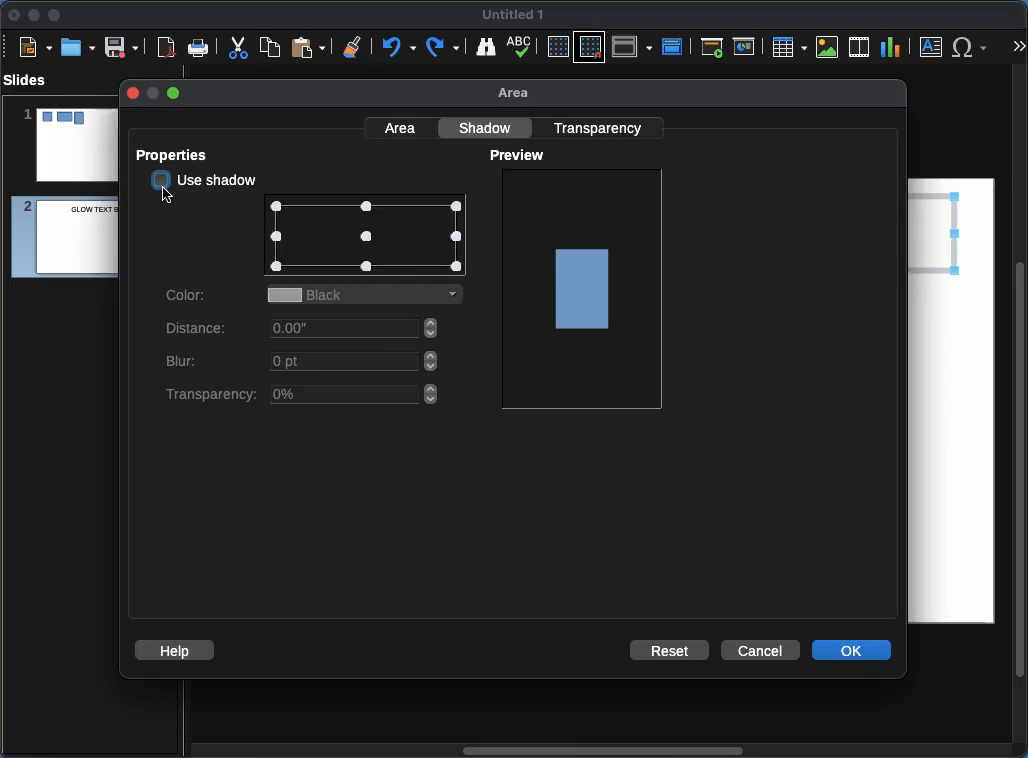 The width and height of the screenshot is (1028, 758). I want to click on Export as PDF, so click(166, 48).